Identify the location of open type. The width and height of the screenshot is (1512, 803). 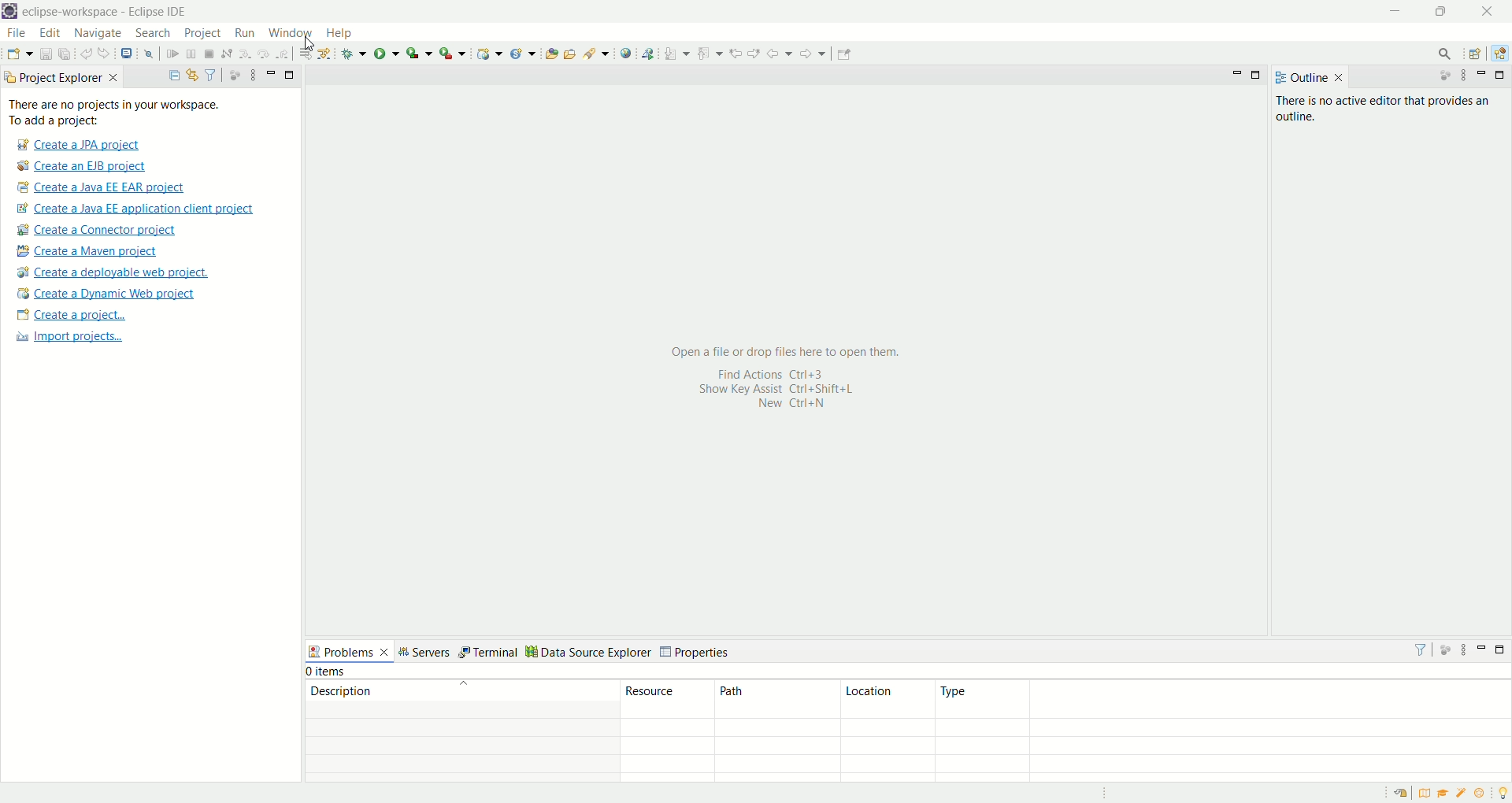
(550, 52).